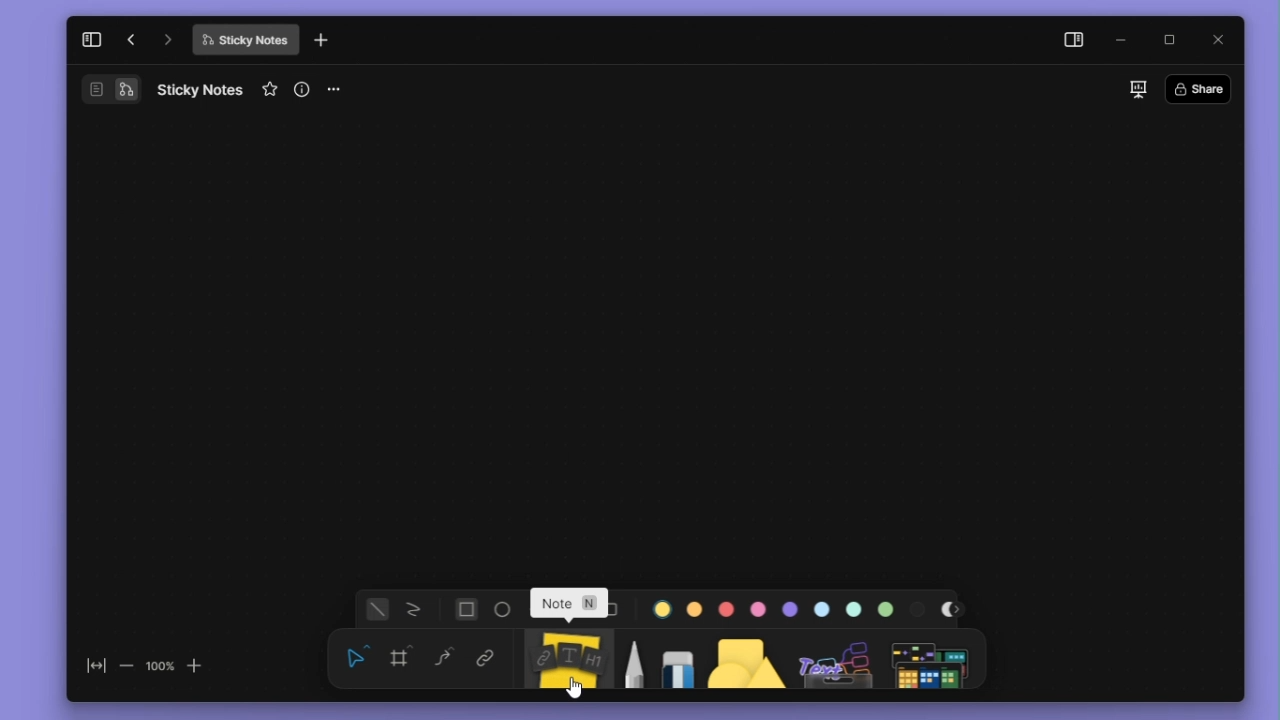 The width and height of the screenshot is (1280, 720). Describe the element at coordinates (822, 608) in the screenshot. I see `color pallate` at that location.